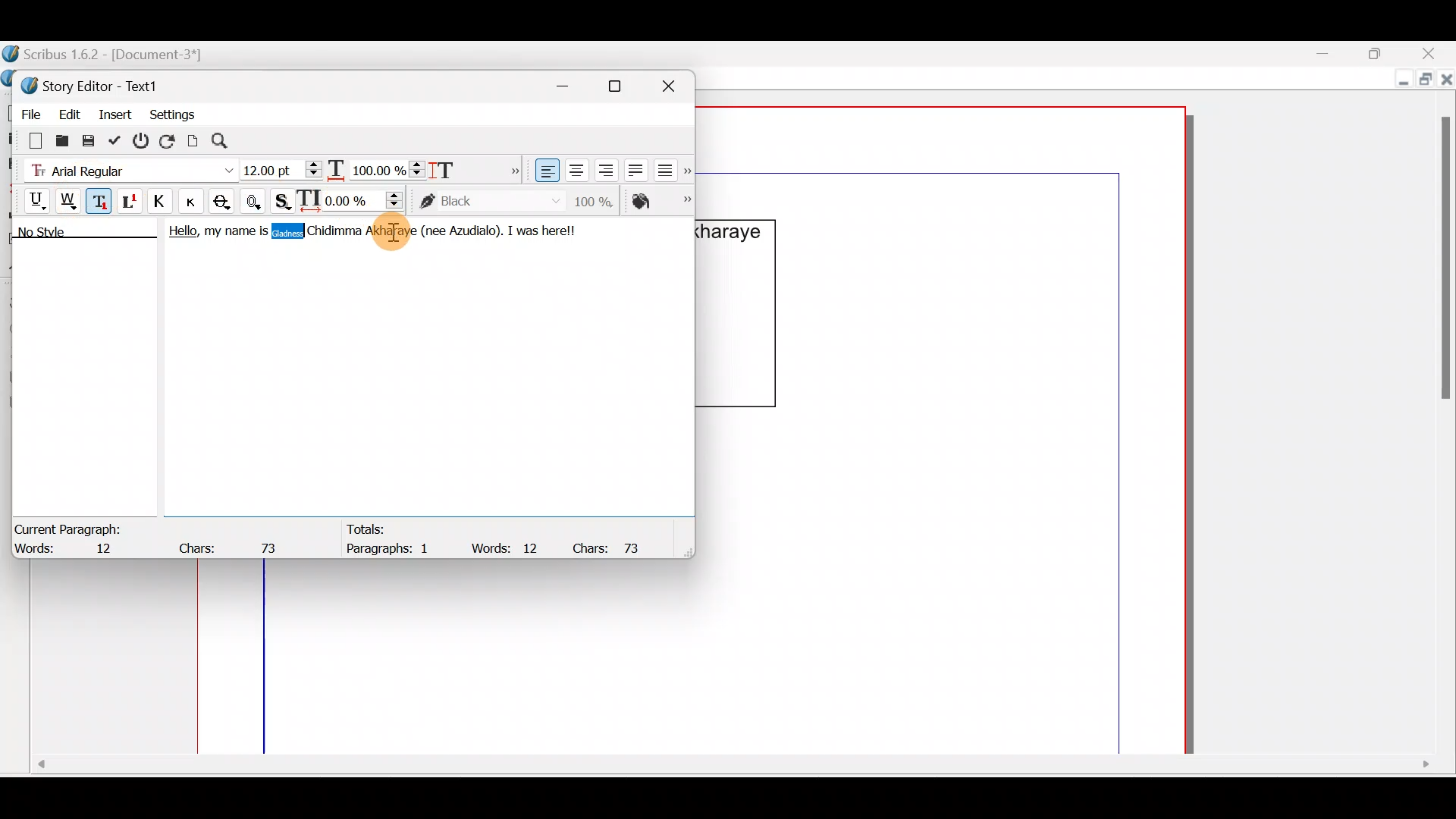 The width and height of the screenshot is (1456, 819). Describe the element at coordinates (464, 165) in the screenshot. I see `Scaling height of characters` at that location.